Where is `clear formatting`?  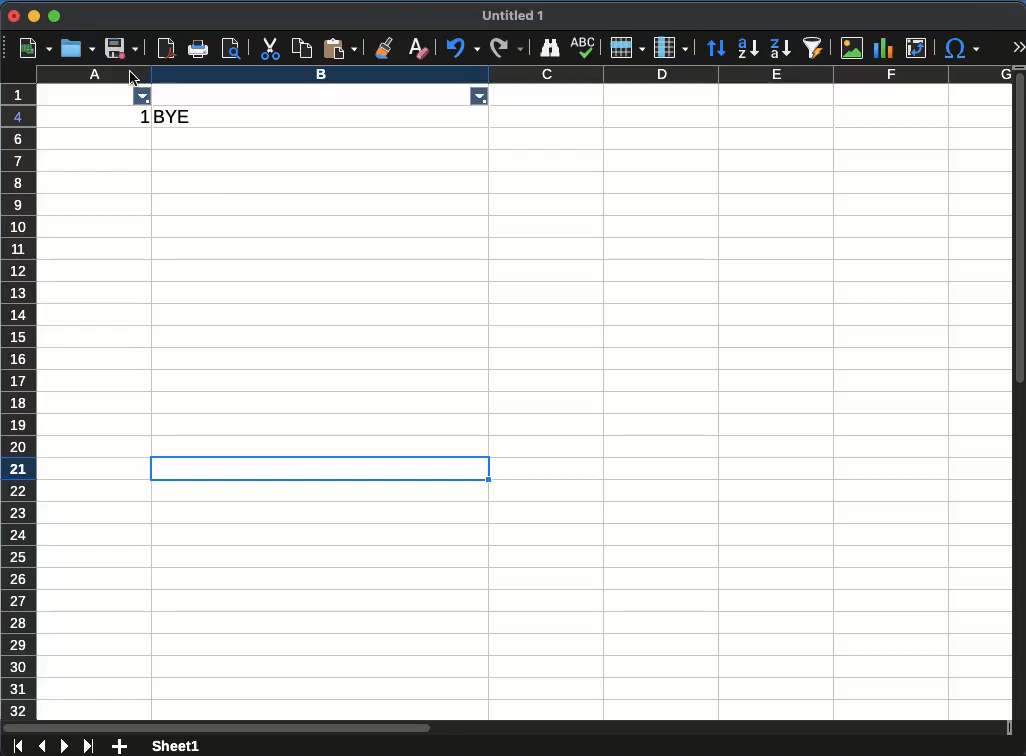
clear formatting is located at coordinates (417, 49).